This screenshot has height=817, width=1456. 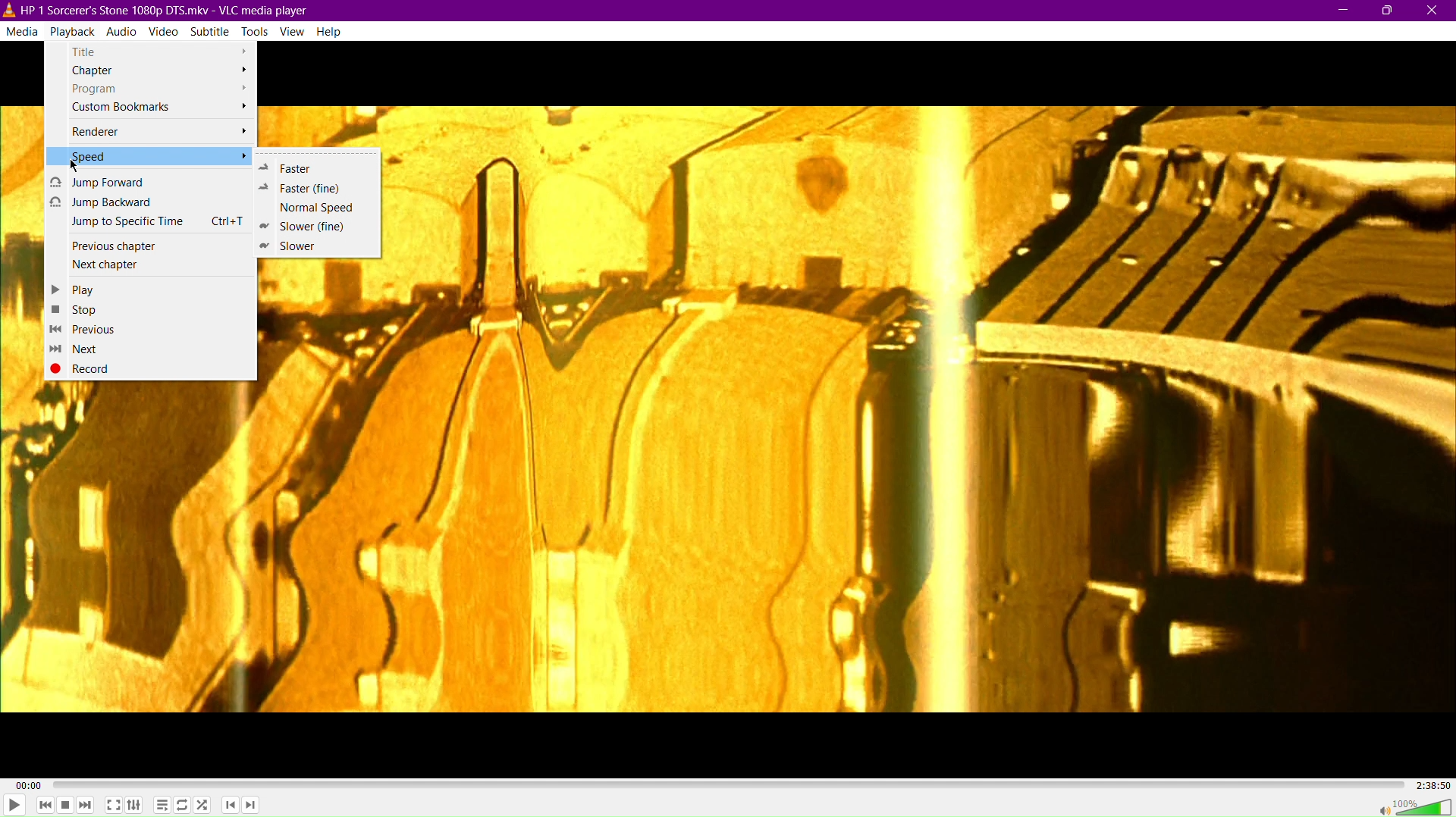 I want to click on Extended Settings, so click(x=135, y=803).